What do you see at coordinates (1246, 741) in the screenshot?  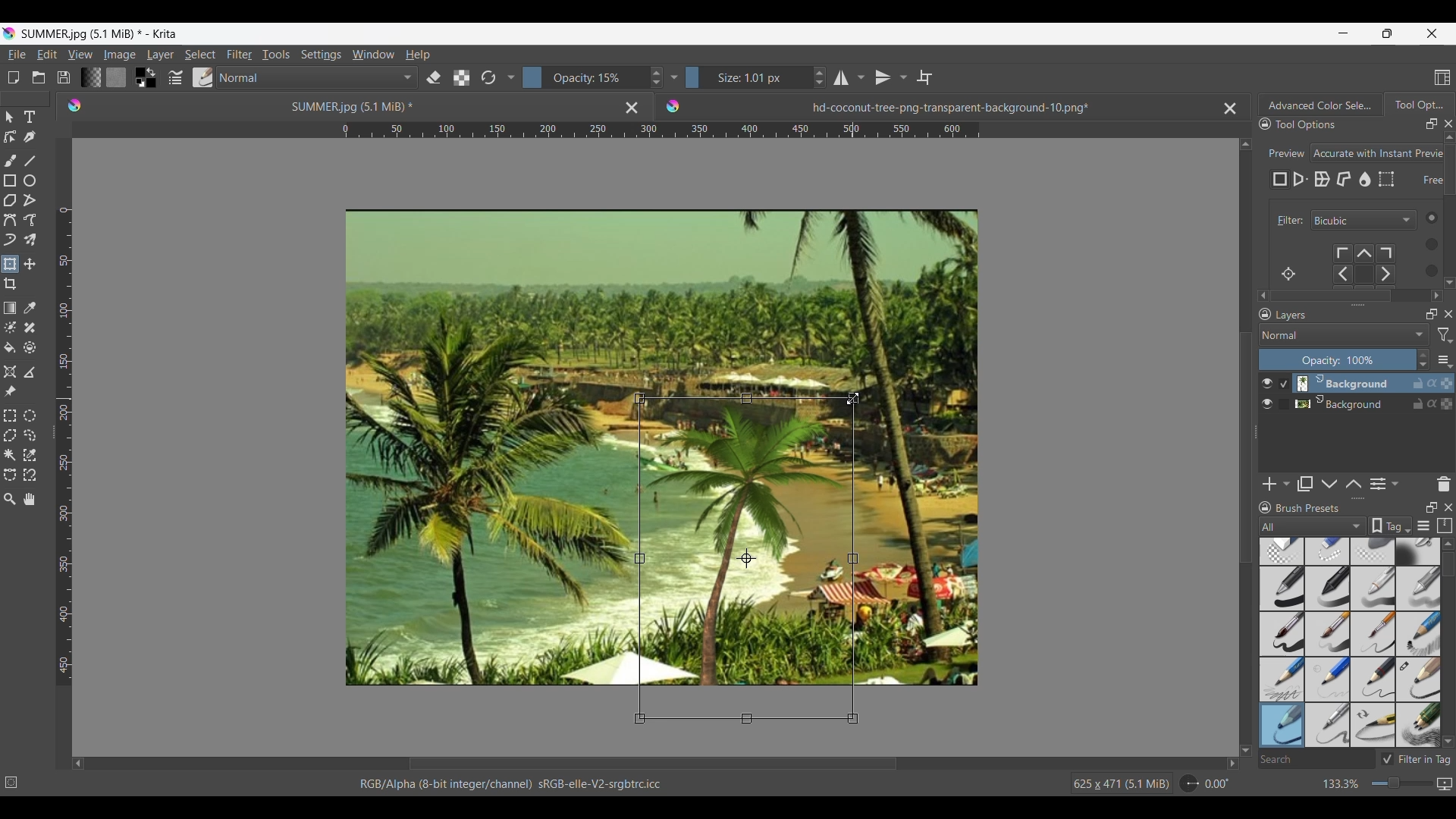 I see `Down` at bounding box center [1246, 741].